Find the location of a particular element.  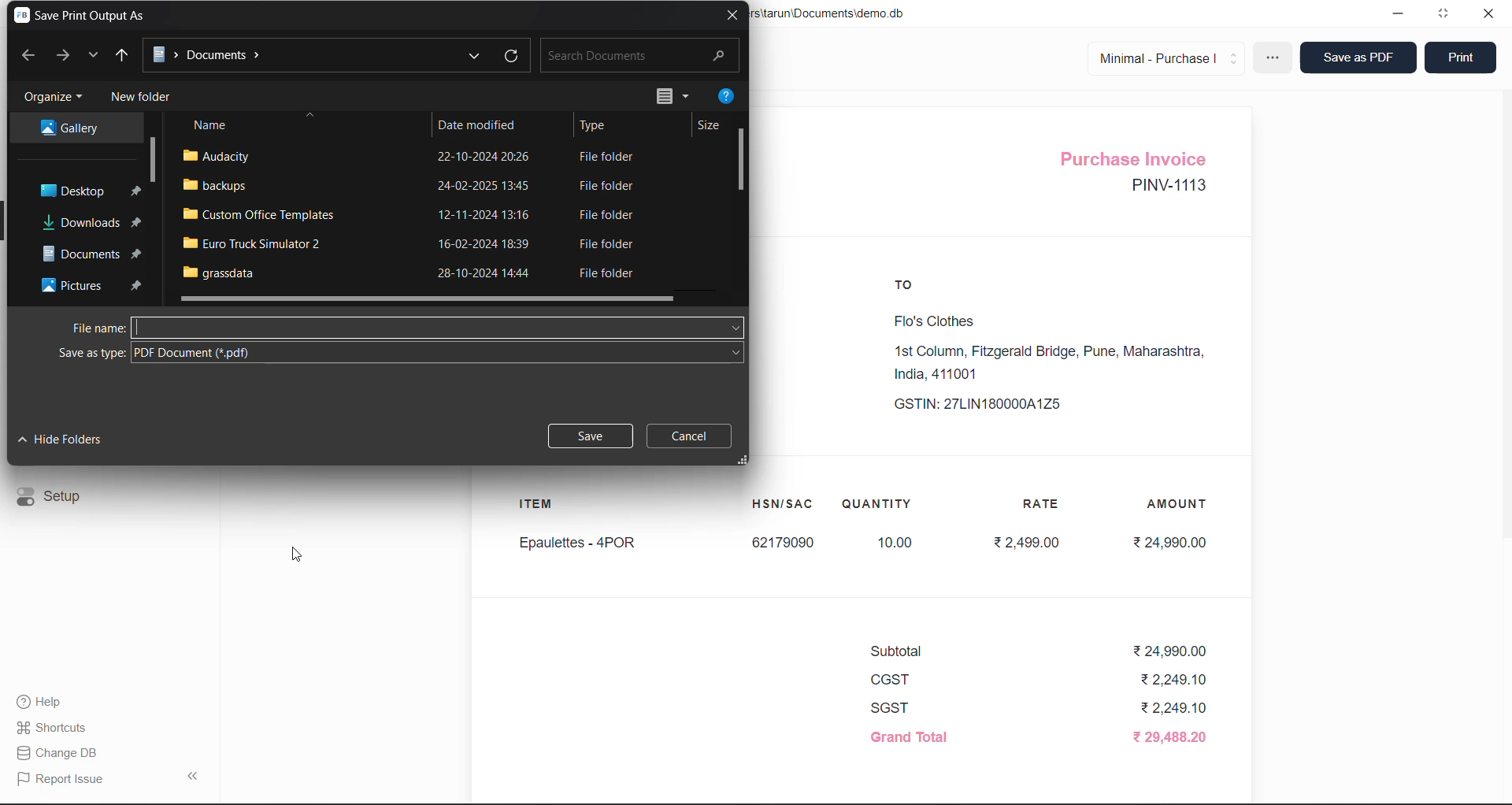

Hide folders is located at coordinates (60, 441).